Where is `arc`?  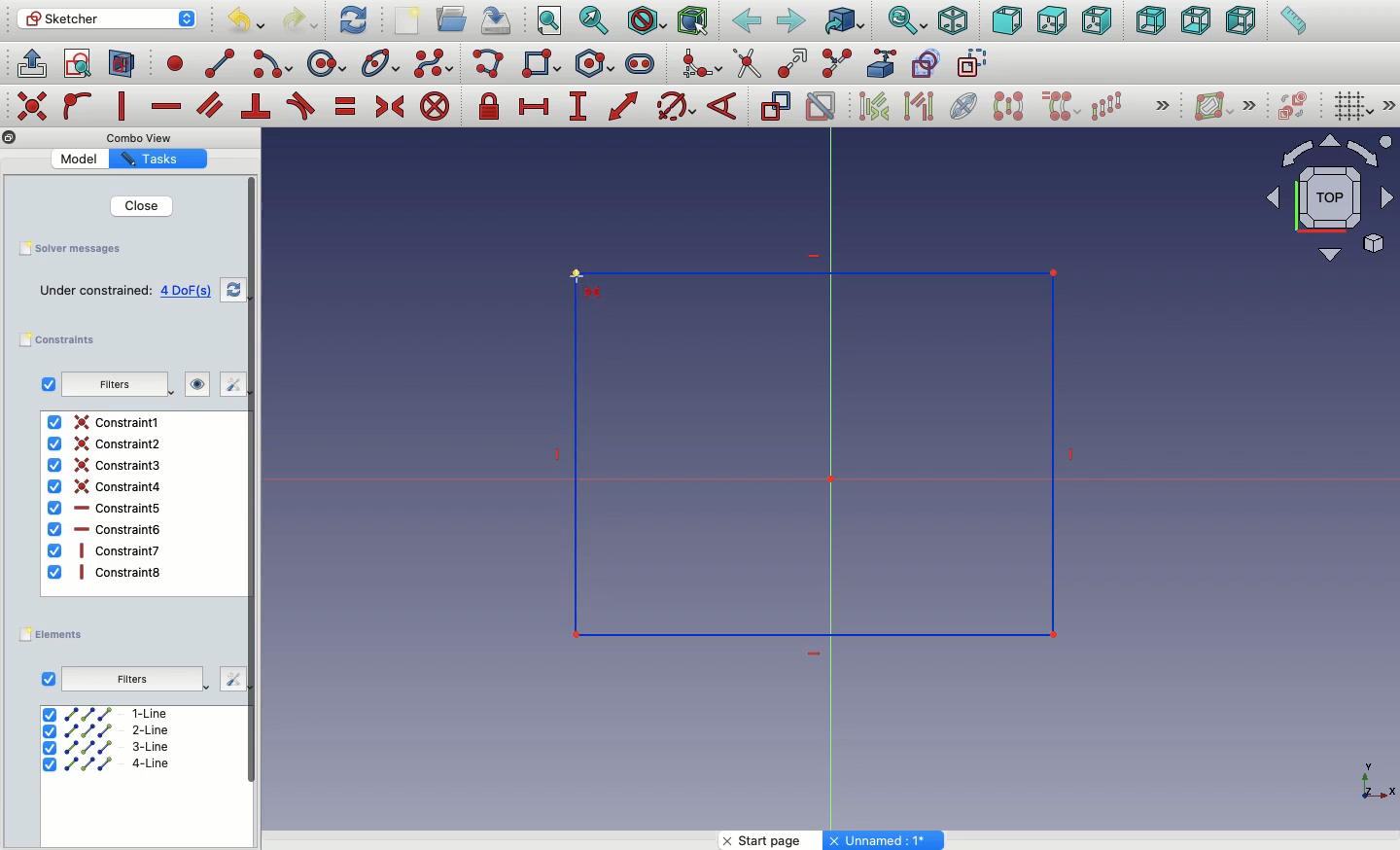
arc is located at coordinates (274, 64).